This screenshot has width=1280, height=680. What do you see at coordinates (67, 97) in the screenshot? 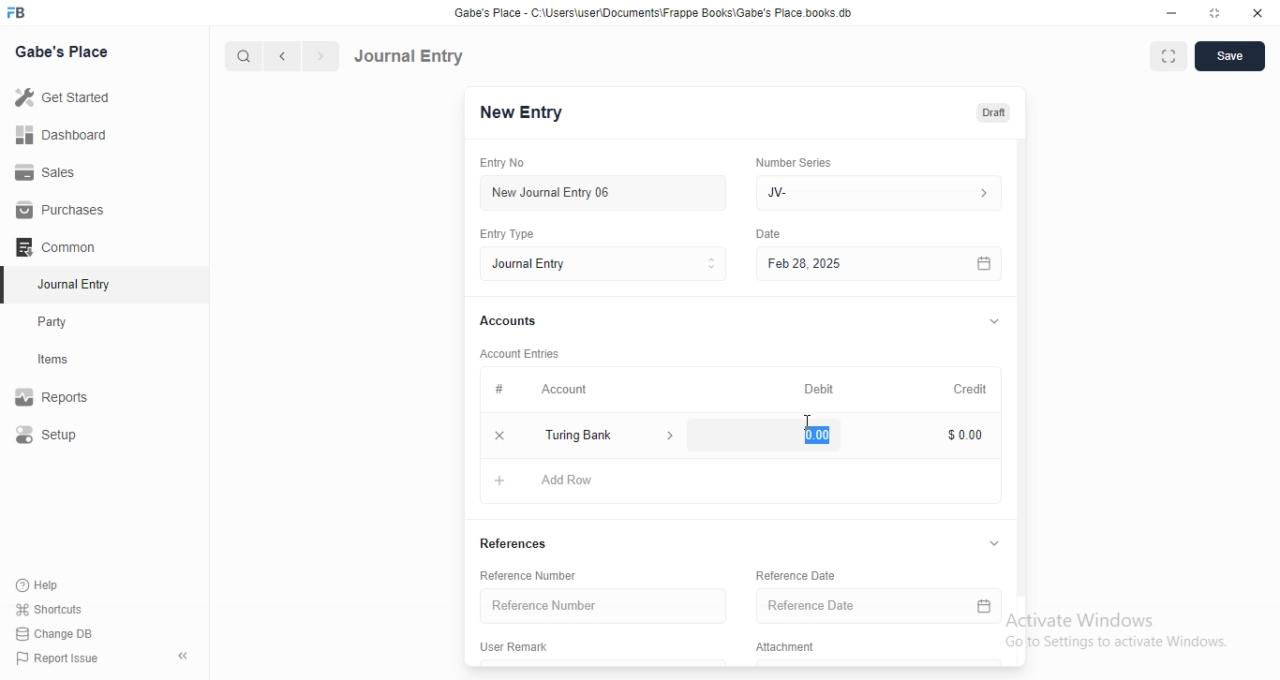
I see `Get Started` at bounding box center [67, 97].